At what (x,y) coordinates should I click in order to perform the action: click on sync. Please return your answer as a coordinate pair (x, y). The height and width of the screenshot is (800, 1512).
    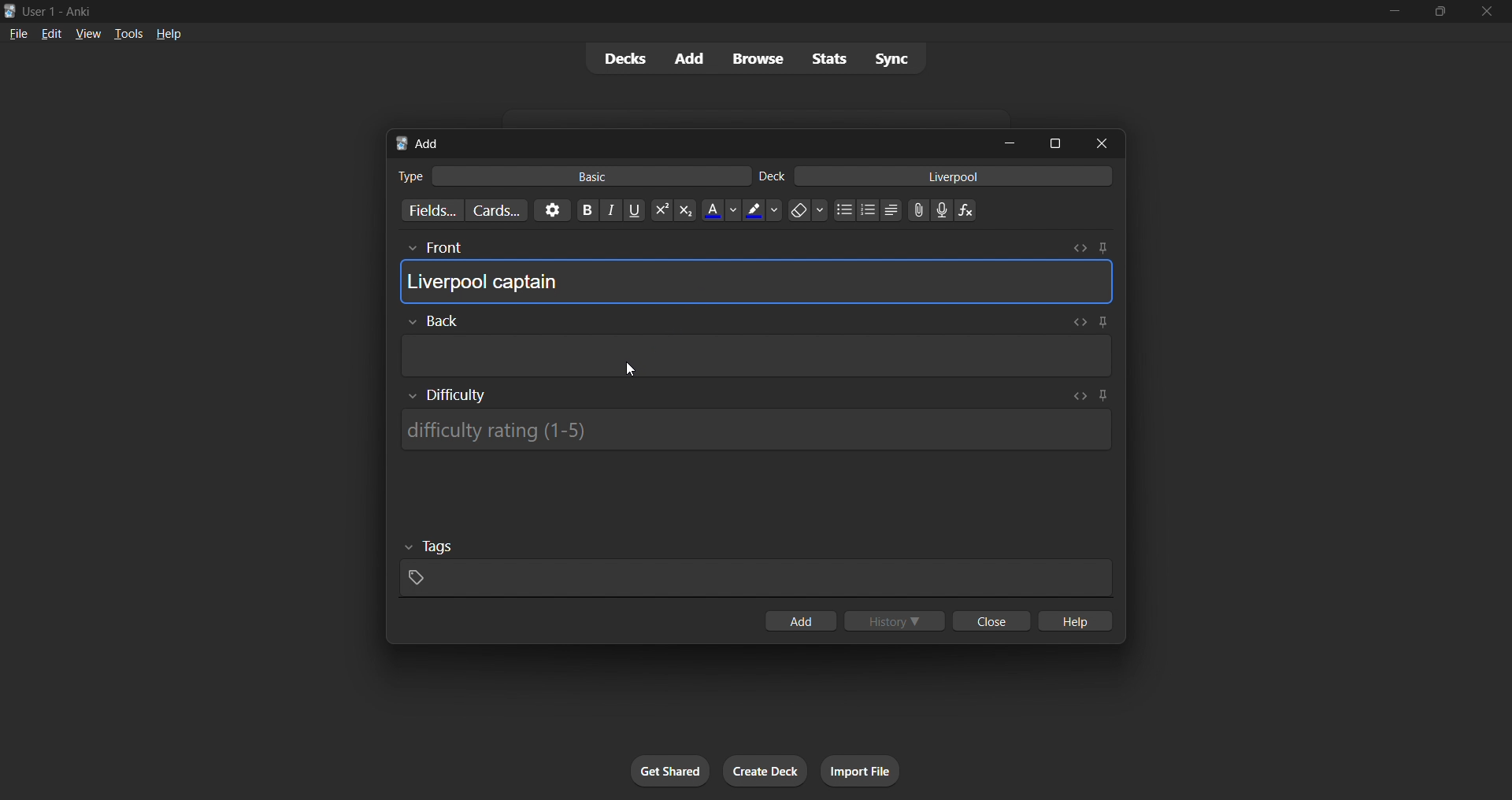
    Looking at the image, I should click on (891, 57).